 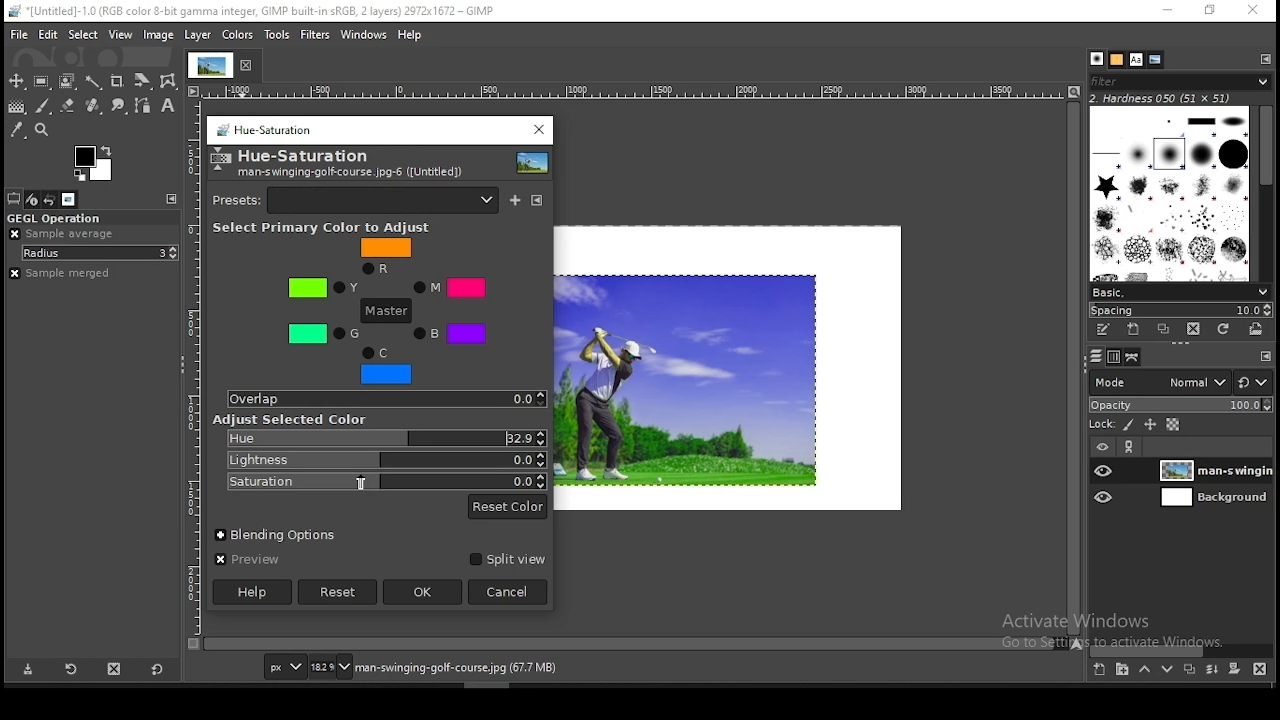 I want to click on image, so click(x=159, y=34).